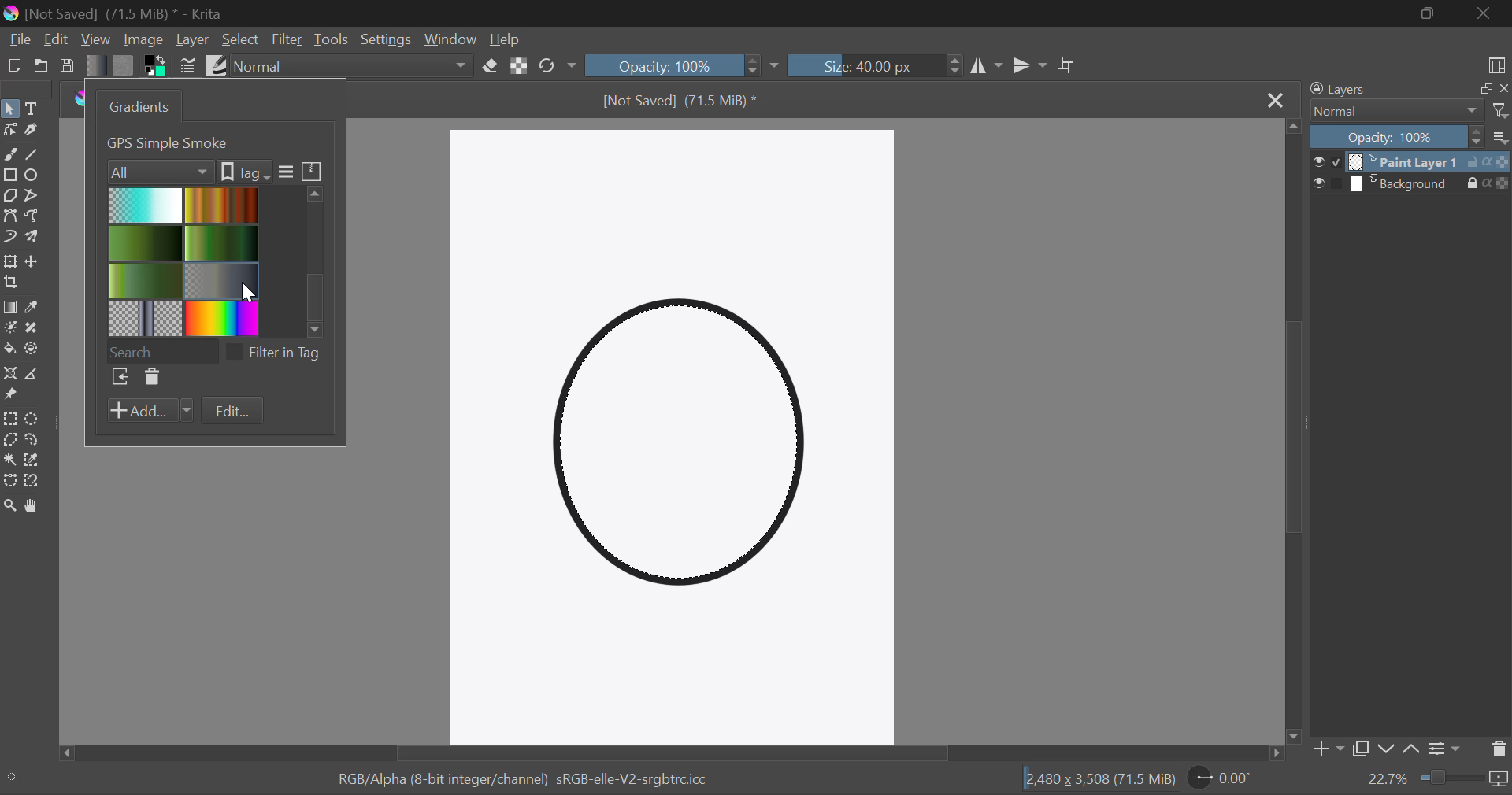  Describe the element at coordinates (37, 483) in the screenshot. I see `Magnetic Curve Selection` at that location.